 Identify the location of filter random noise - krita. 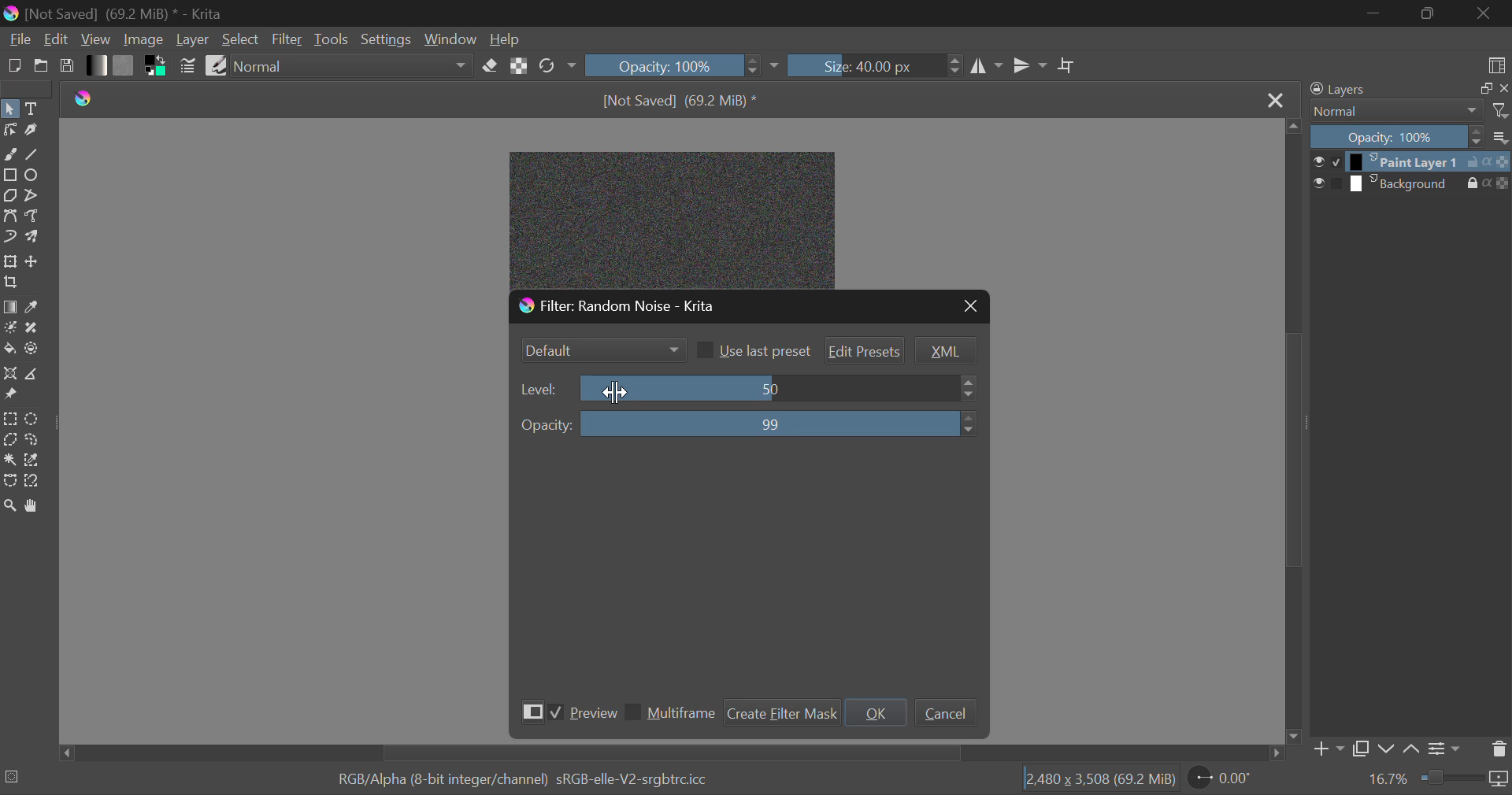
(676, 304).